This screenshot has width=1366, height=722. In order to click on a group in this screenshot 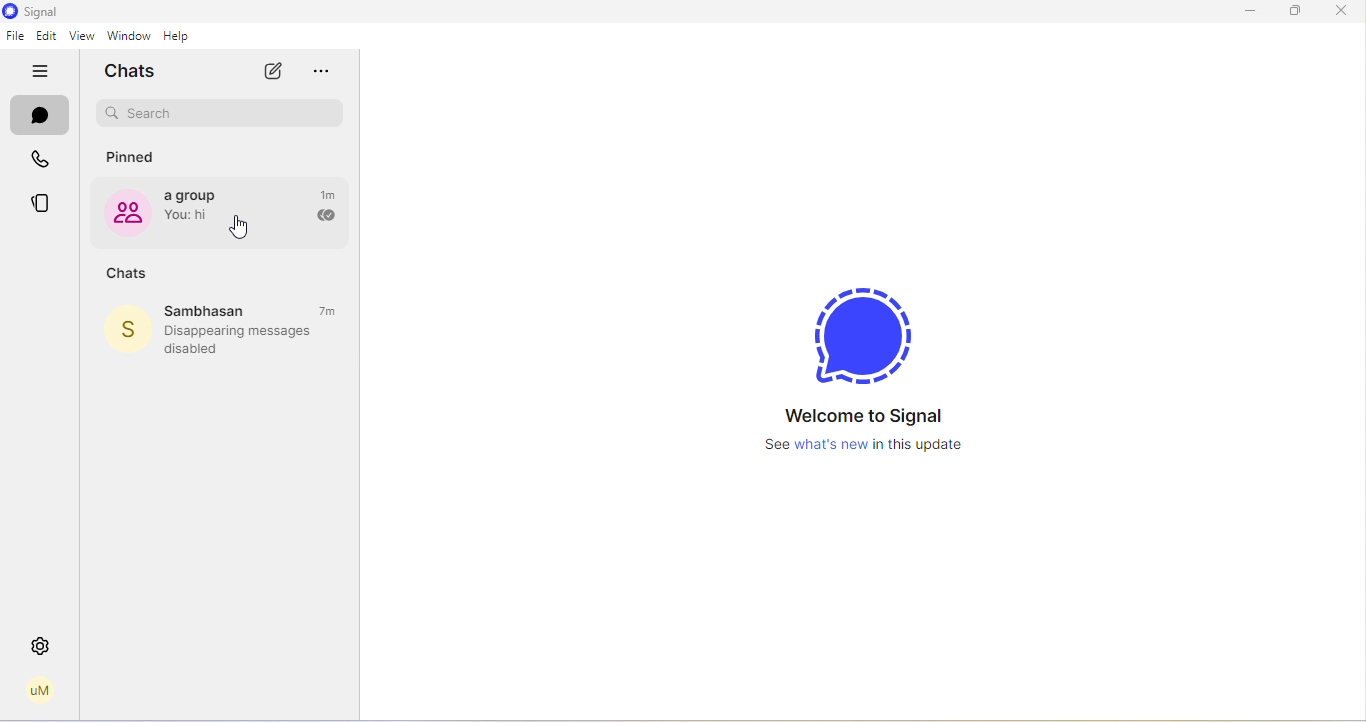, I will do `click(198, 210)`.